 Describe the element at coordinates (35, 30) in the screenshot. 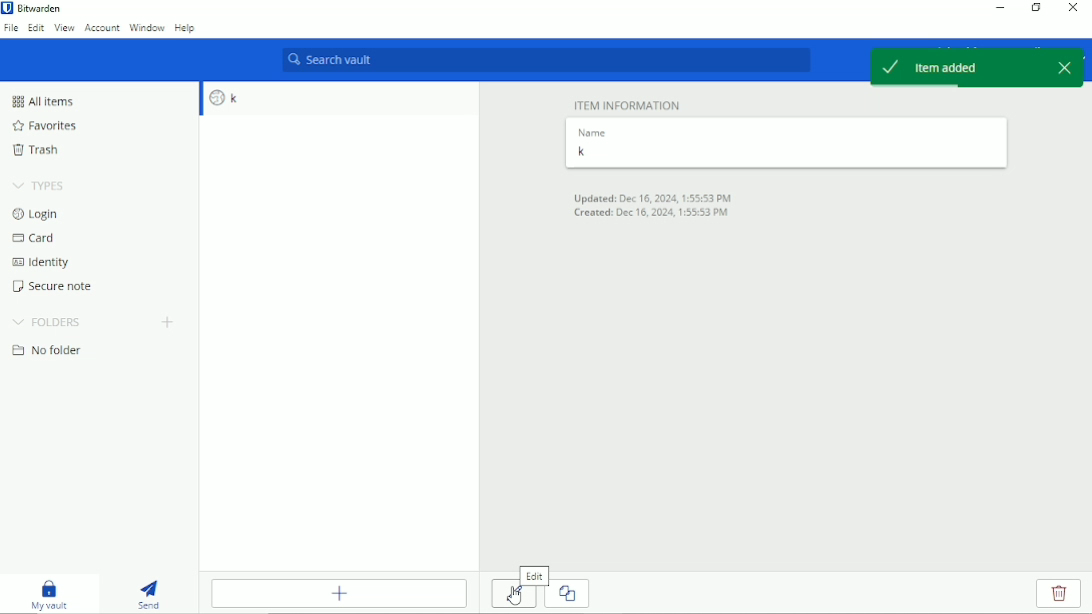

I see `Edit` at that location.